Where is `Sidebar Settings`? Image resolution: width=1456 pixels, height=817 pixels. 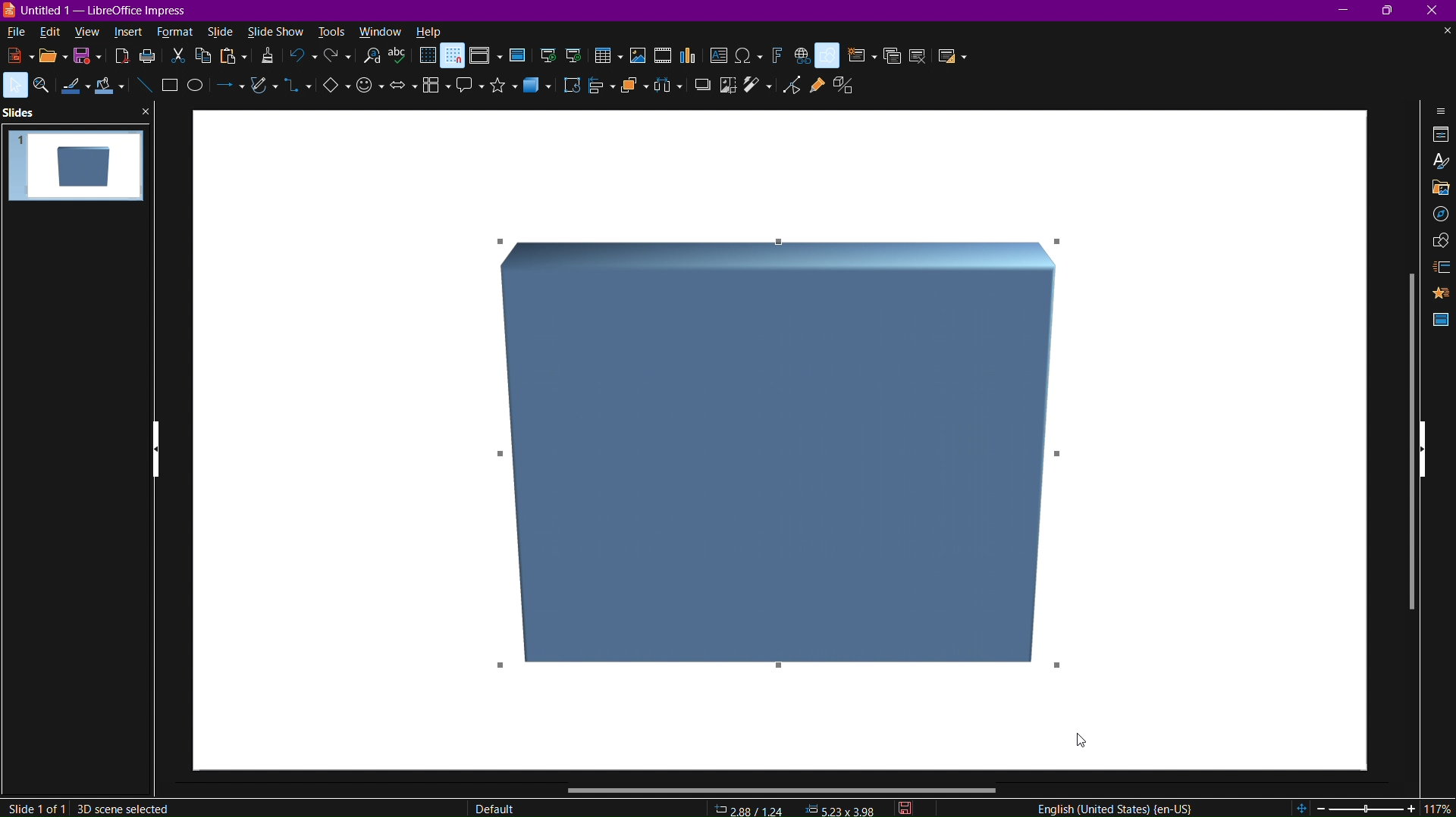
Sidebar Settings is located at coordinates (1436, 111).